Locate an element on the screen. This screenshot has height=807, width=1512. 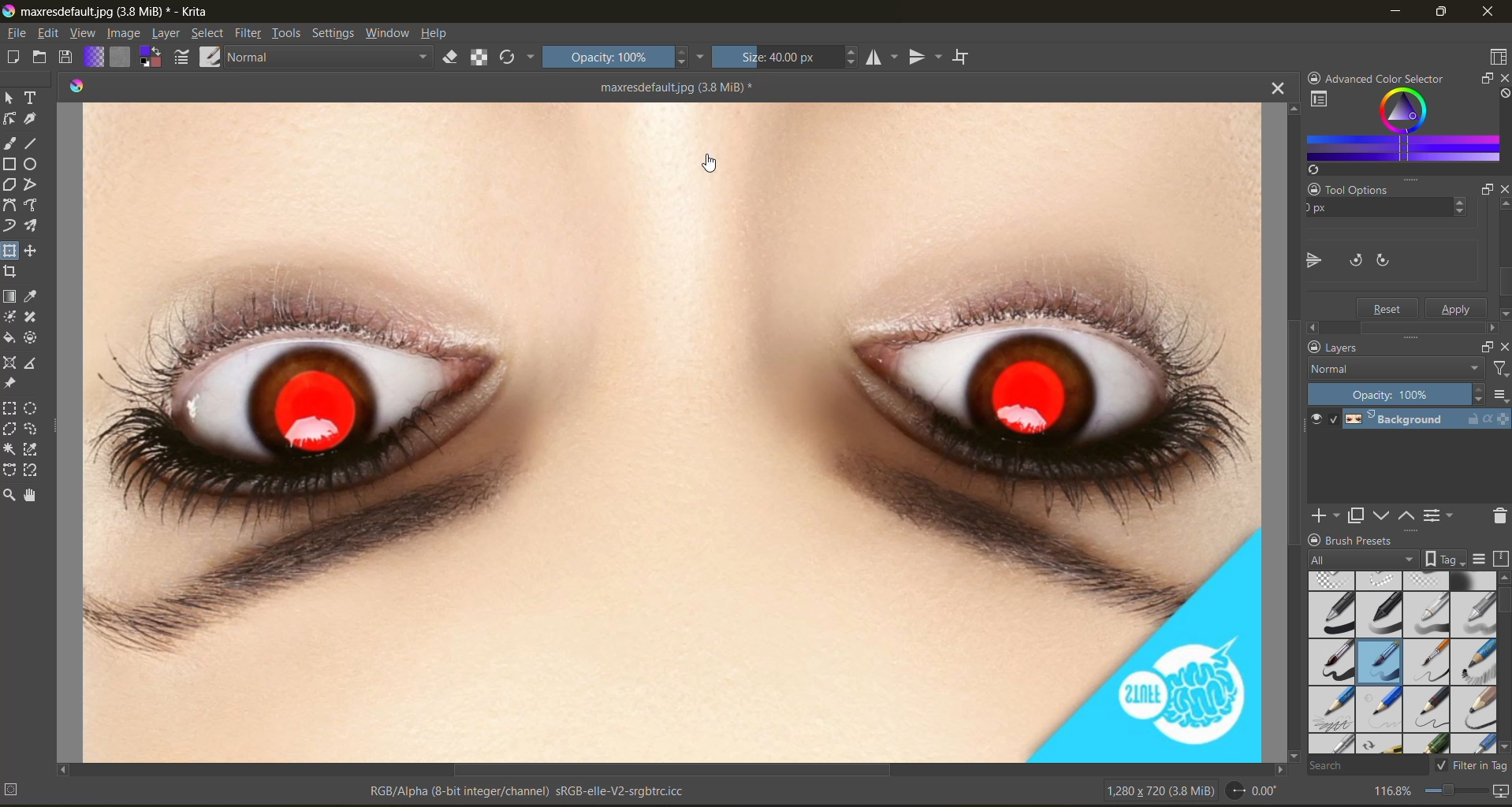
mask up is located at coordinates (1410, 516).